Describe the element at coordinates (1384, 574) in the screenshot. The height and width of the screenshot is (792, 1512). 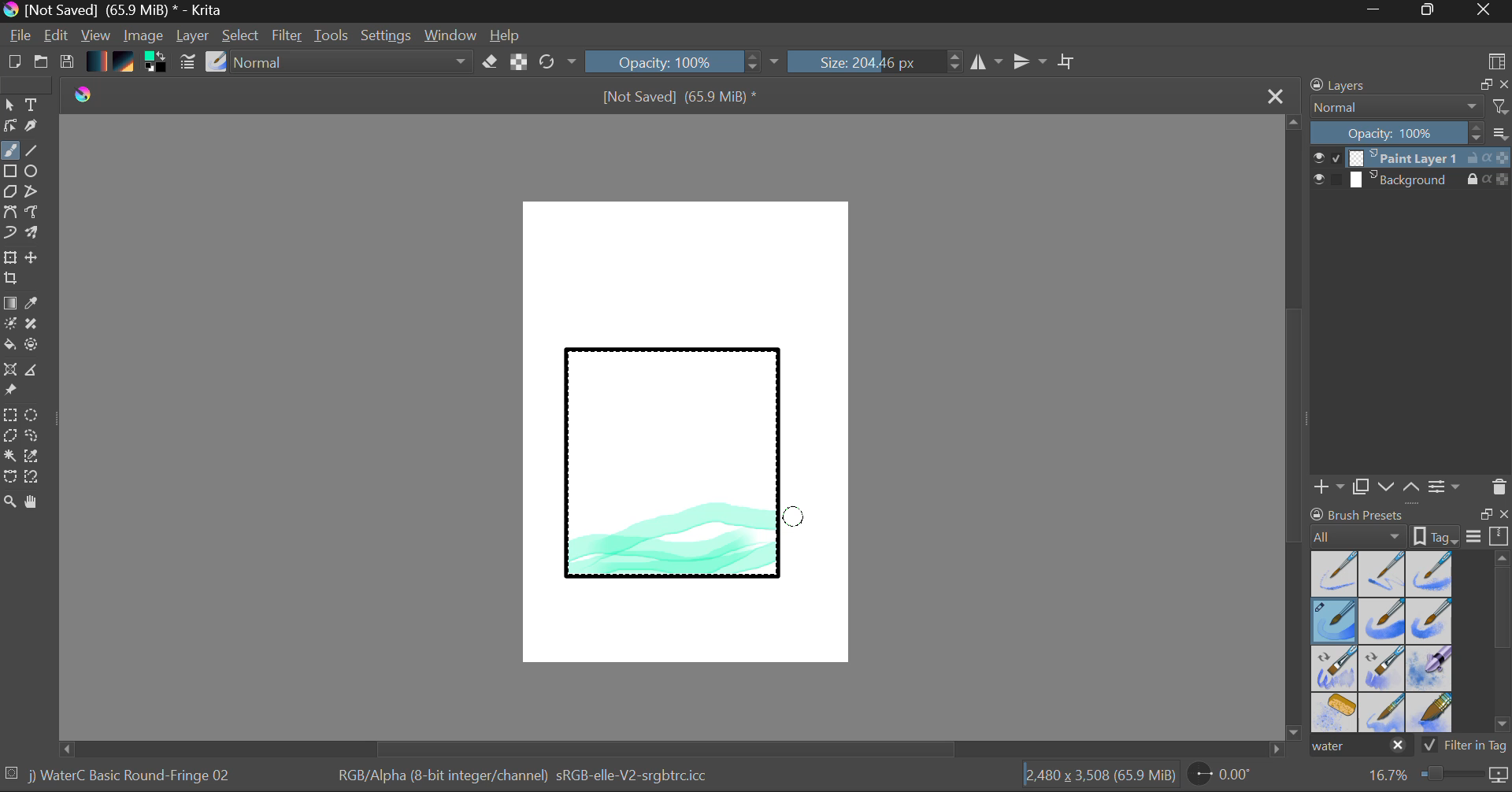
I see `Water C - Wet` at that location.